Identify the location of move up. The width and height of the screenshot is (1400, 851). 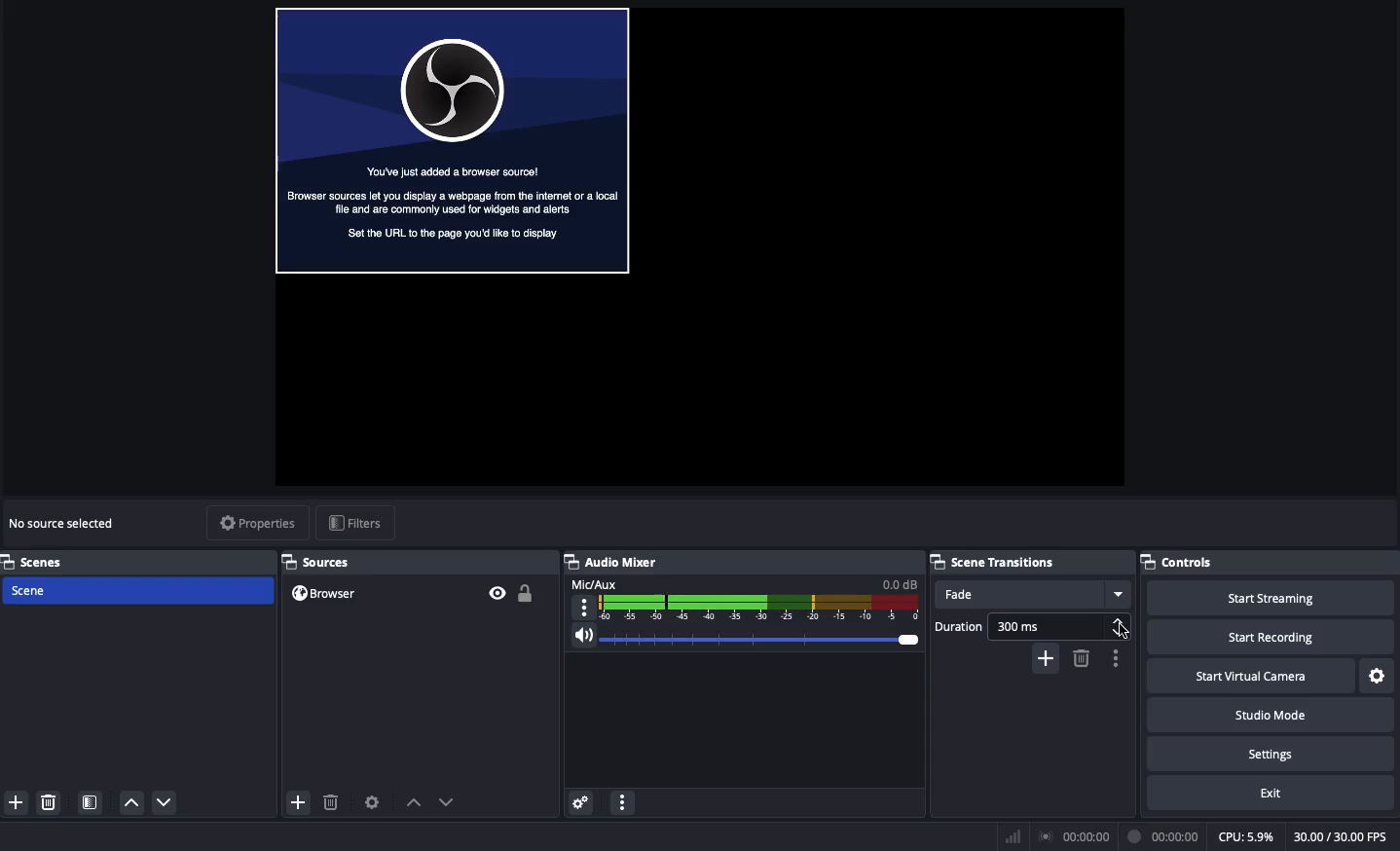
(417, 804).